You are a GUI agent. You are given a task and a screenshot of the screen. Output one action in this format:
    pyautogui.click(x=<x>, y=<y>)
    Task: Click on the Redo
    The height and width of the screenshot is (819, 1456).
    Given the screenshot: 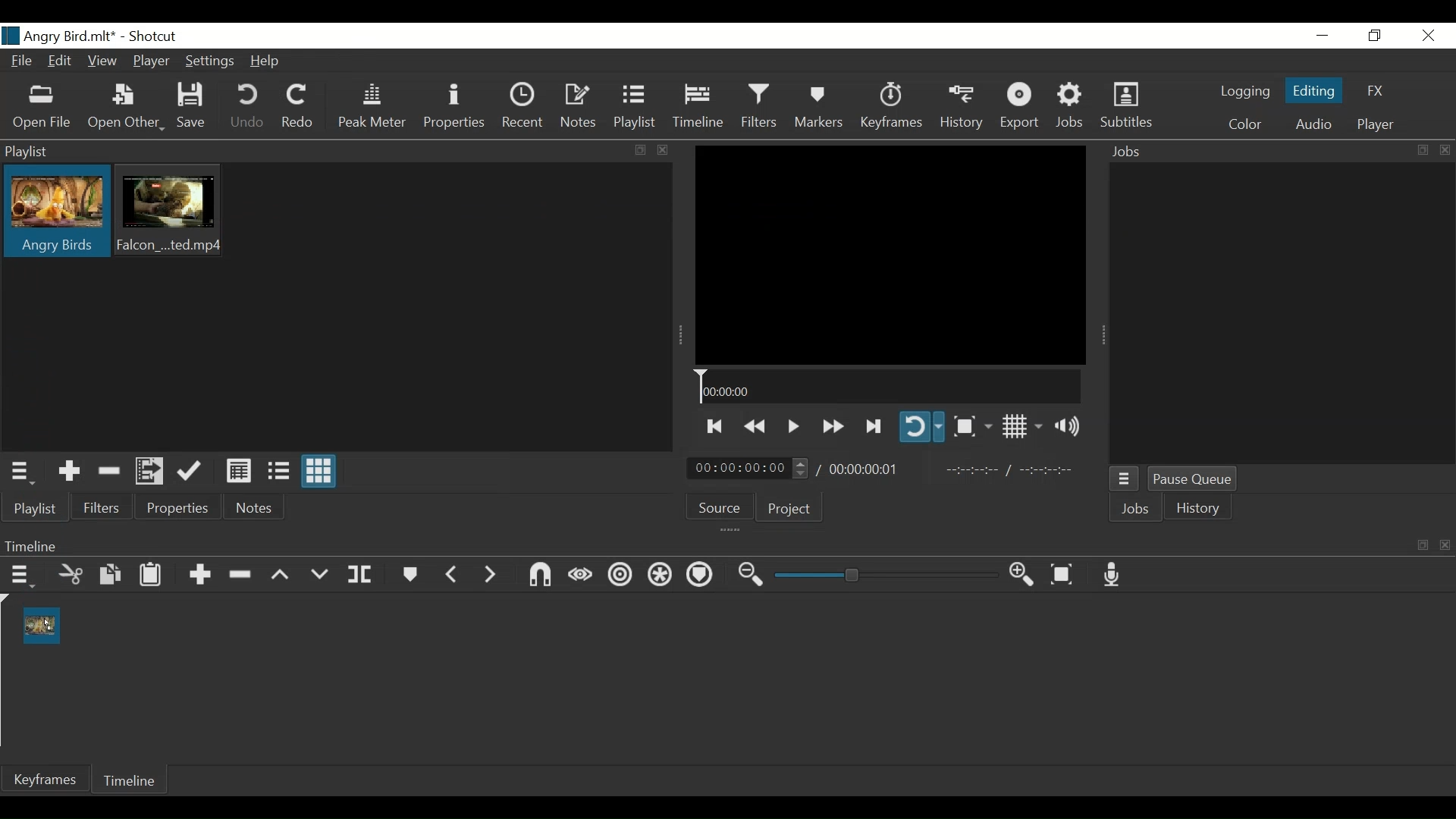 What is the action you would take?
    pyautogui.click(x=300, y=106)
    